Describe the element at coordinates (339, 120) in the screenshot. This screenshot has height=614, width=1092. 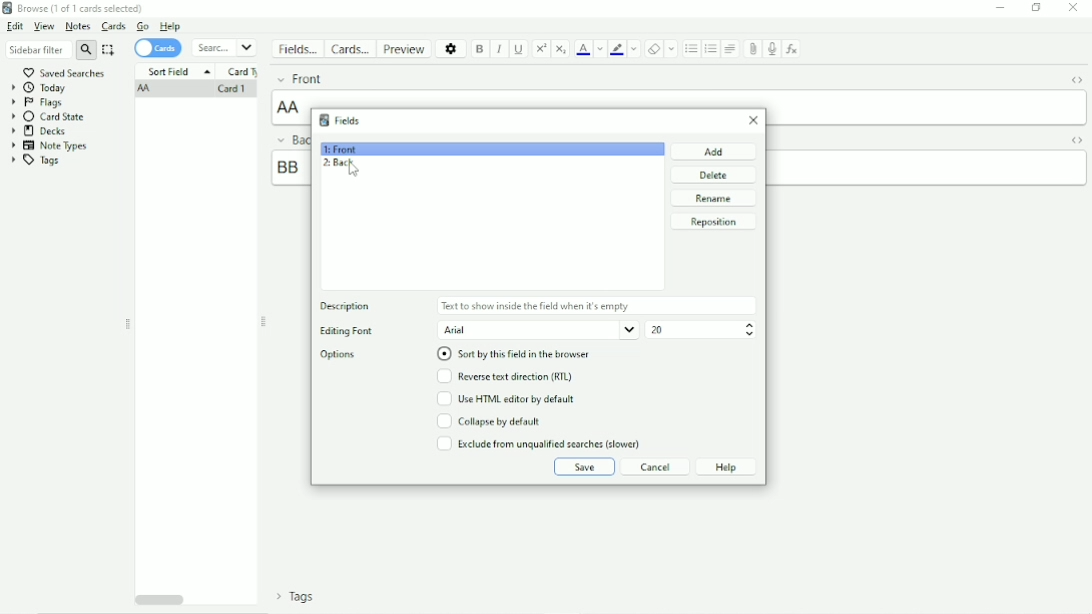
I see `Fields` at that location.